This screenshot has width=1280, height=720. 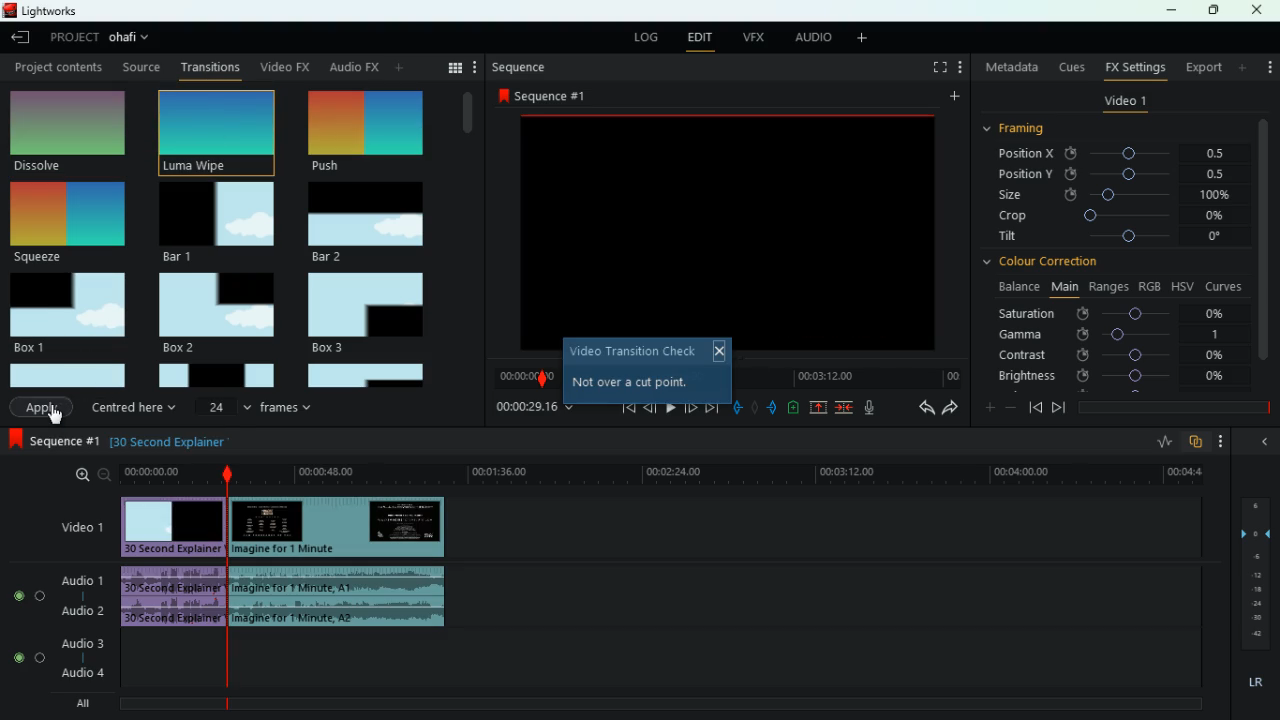 I want to click on position y, so click(x=1121, y=173).